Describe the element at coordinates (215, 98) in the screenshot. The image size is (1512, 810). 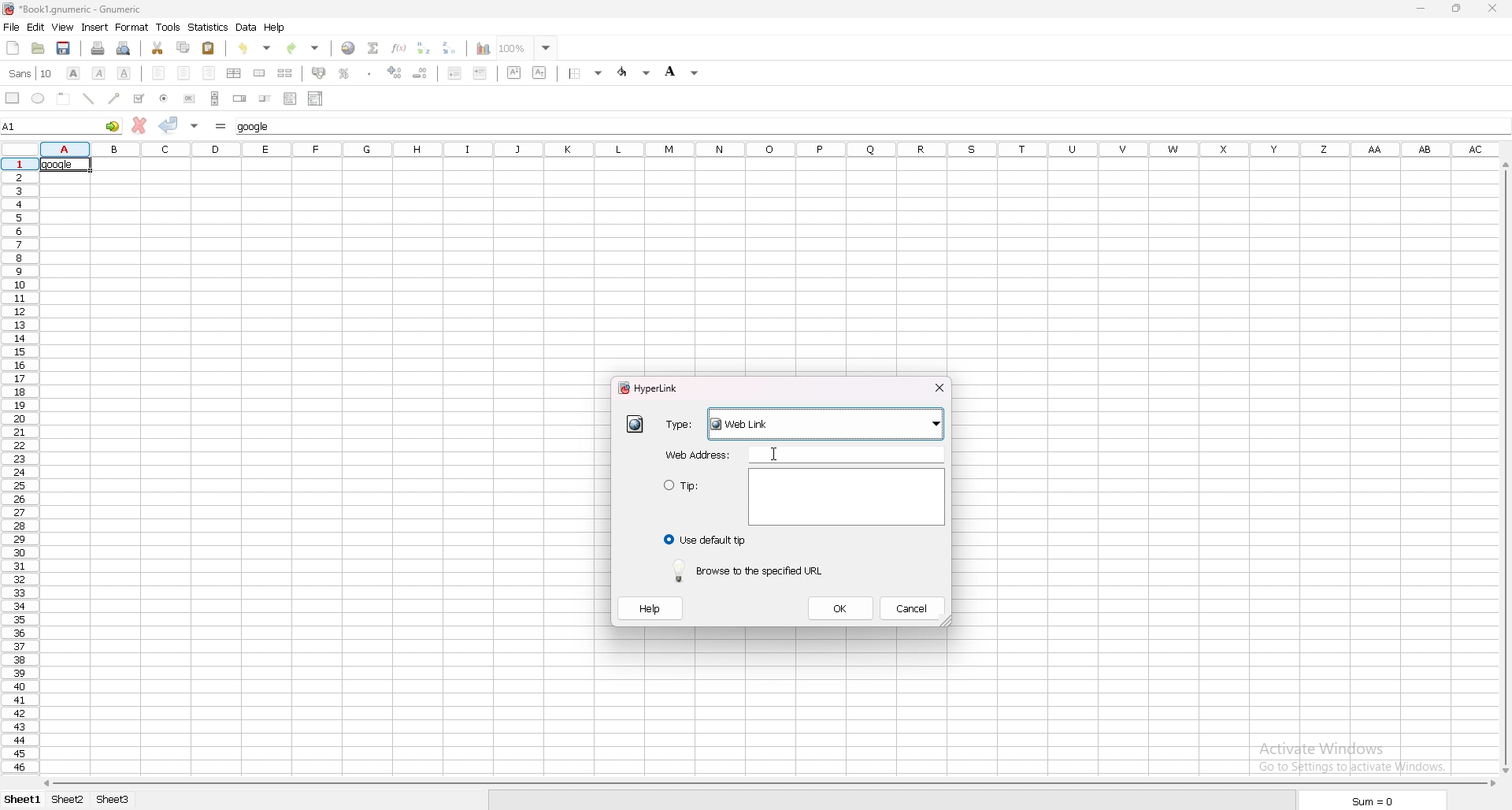
I see `scroll bar` at that location.